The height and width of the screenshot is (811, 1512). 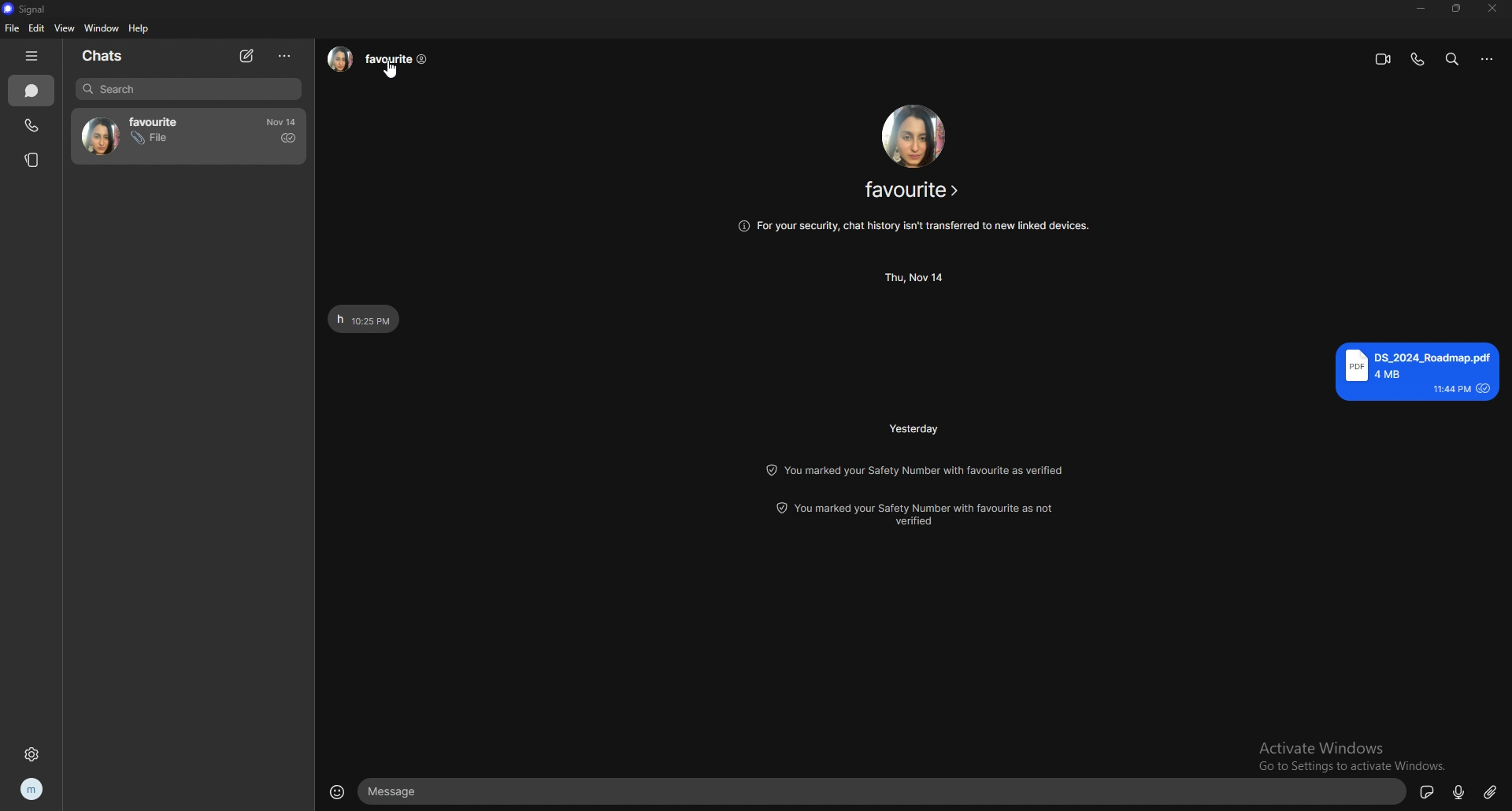 What do you see at coordinates (283, 122) in the screenshot?
I see `time` at bounding box center [283, 122].